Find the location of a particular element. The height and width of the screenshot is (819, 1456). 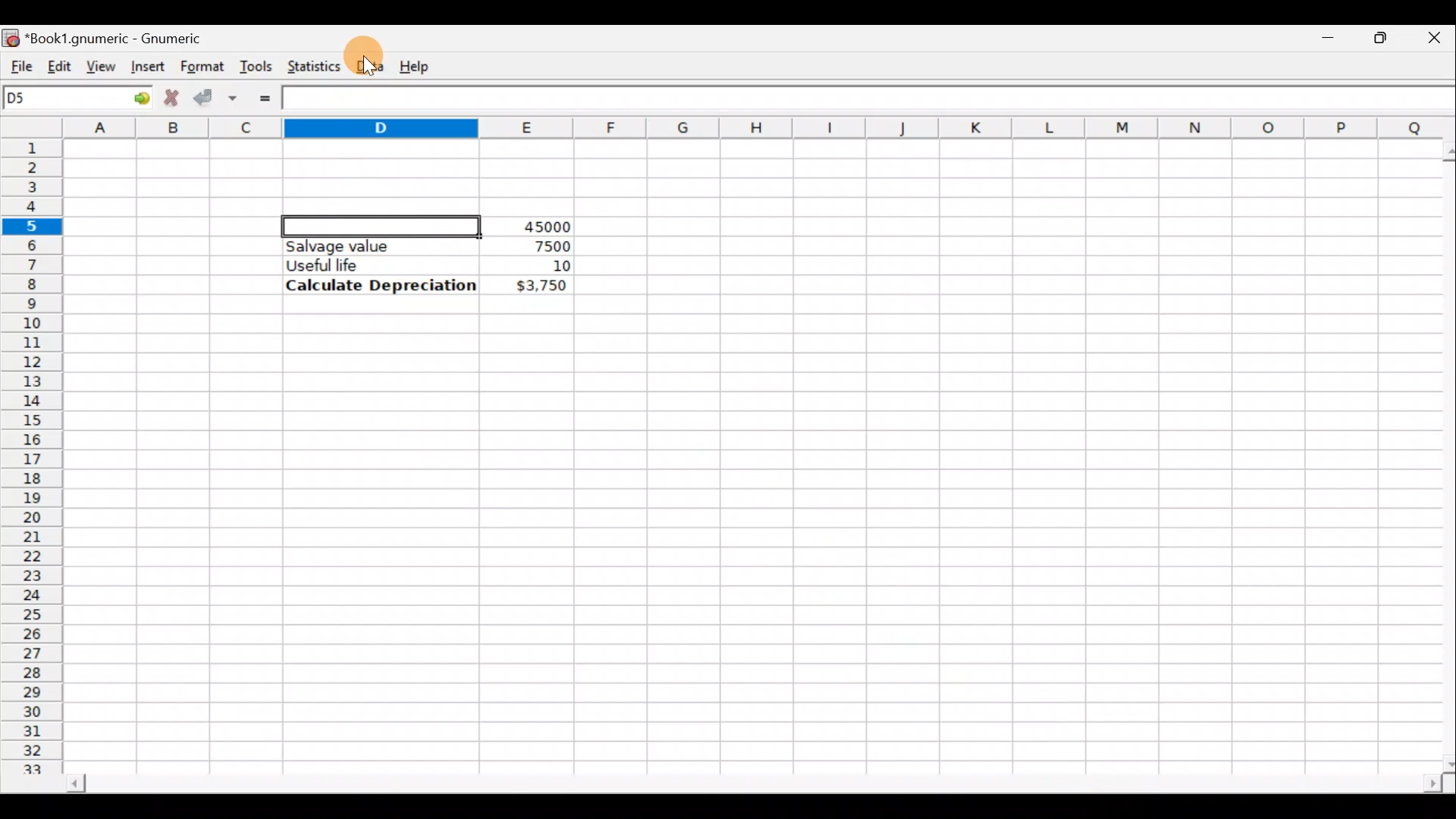

Book1.gnumeric - Gnumeric is located at coordinates (124, 37).